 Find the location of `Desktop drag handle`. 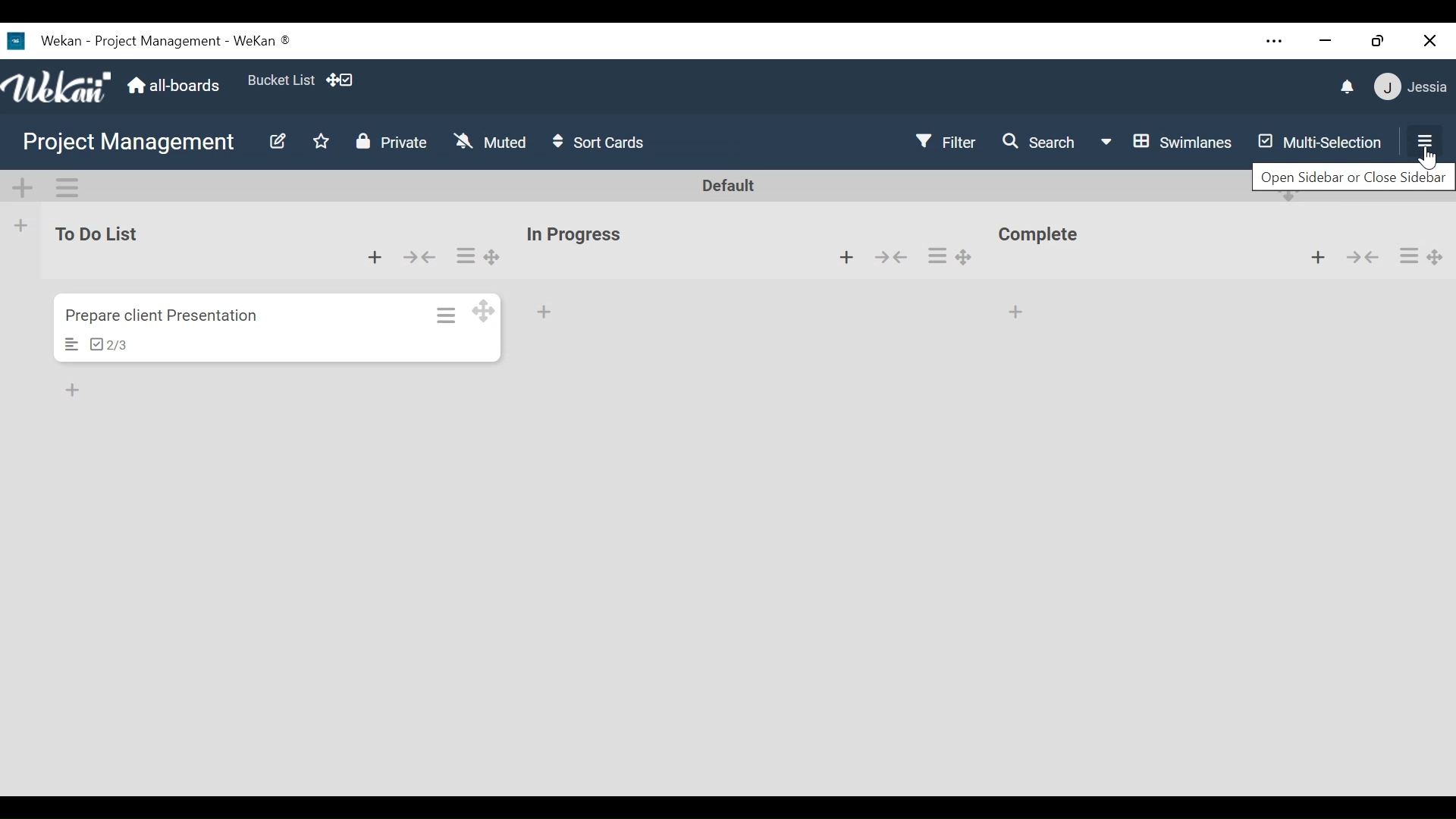

Desktop drag handle is located at coordinates (1436, 257).